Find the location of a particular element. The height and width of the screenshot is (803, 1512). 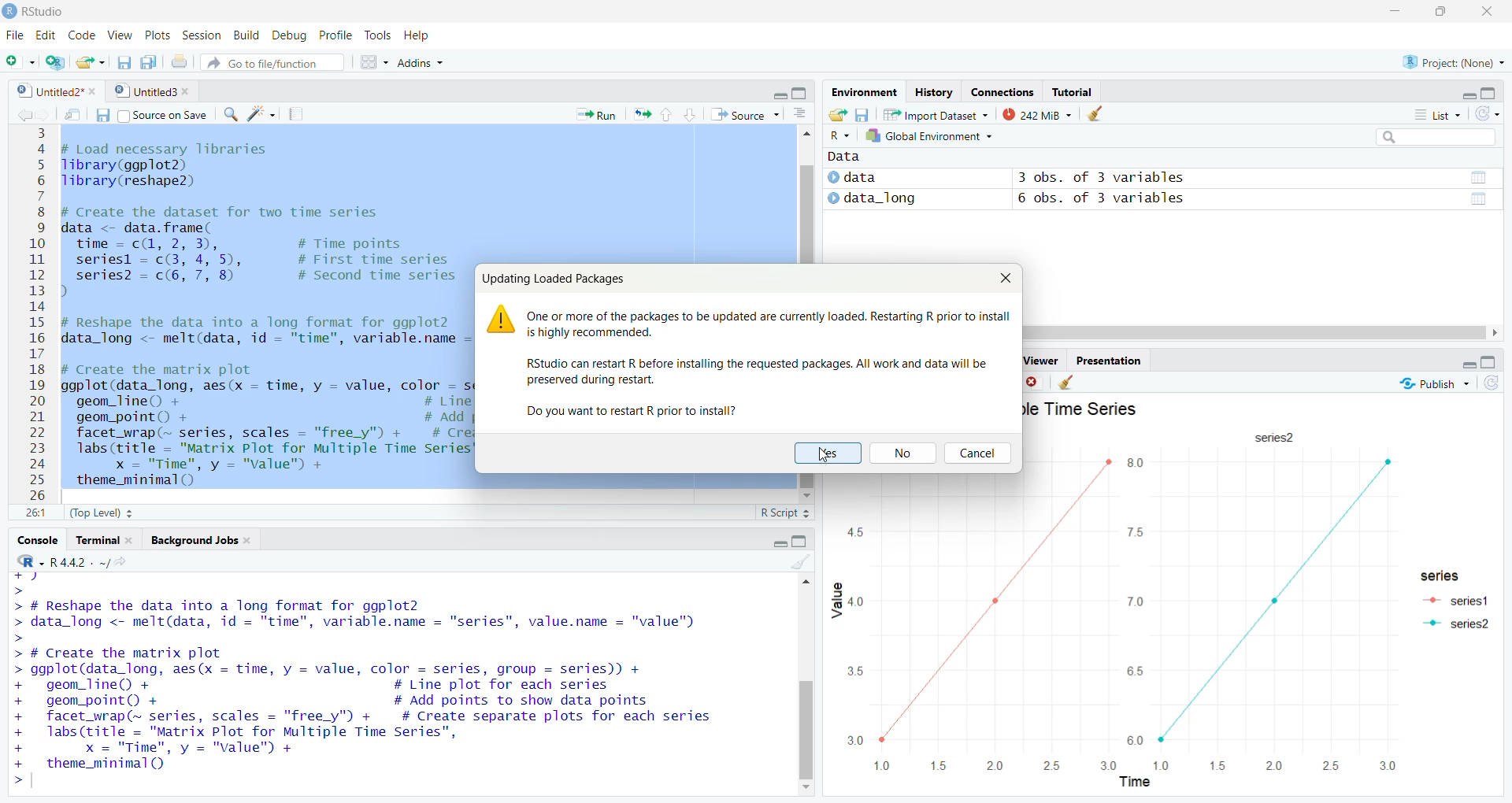

code tools is located at coordinates (261, 114).